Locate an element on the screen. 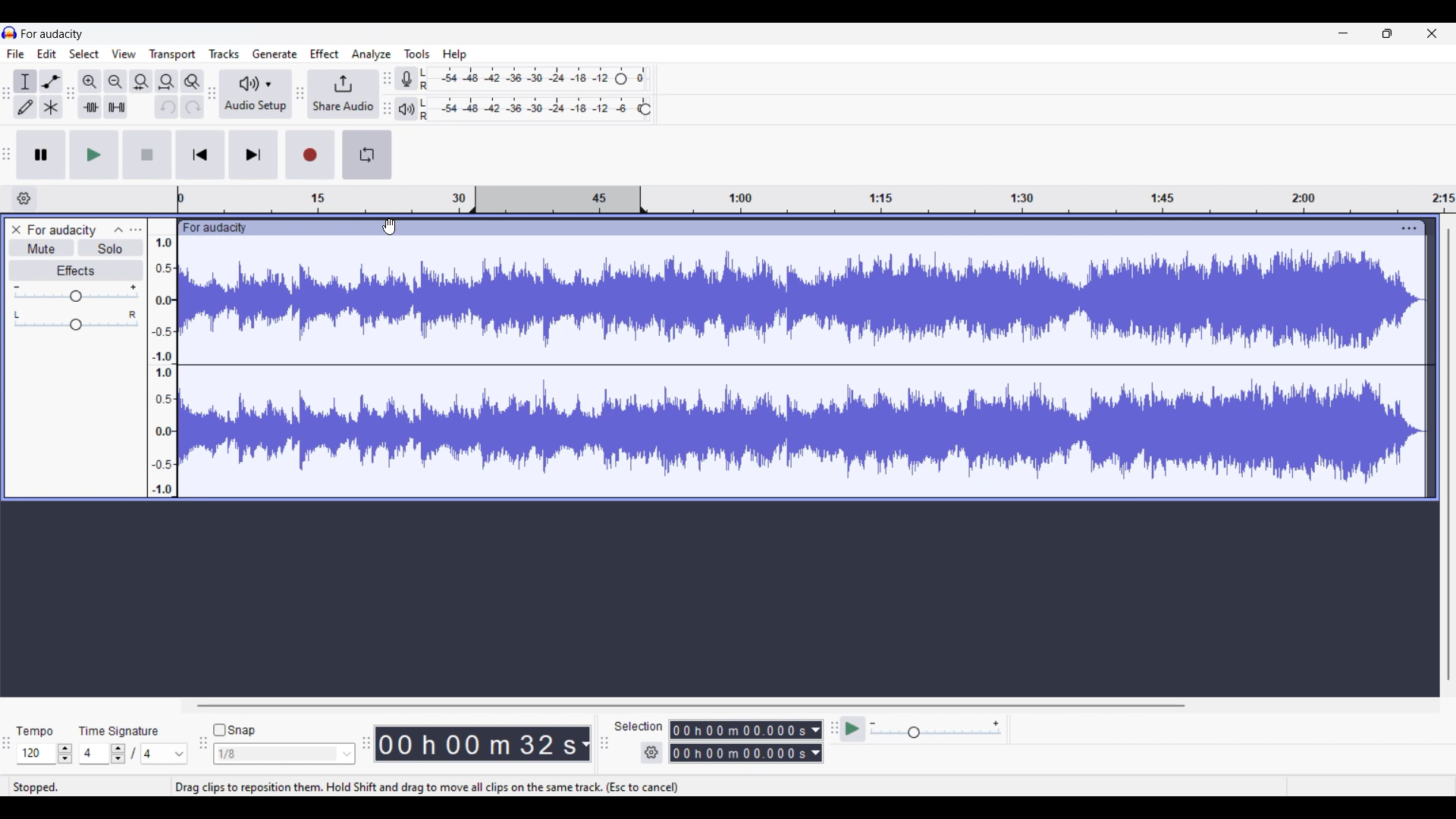  Tracks menu is located at coordinates (224, 54).